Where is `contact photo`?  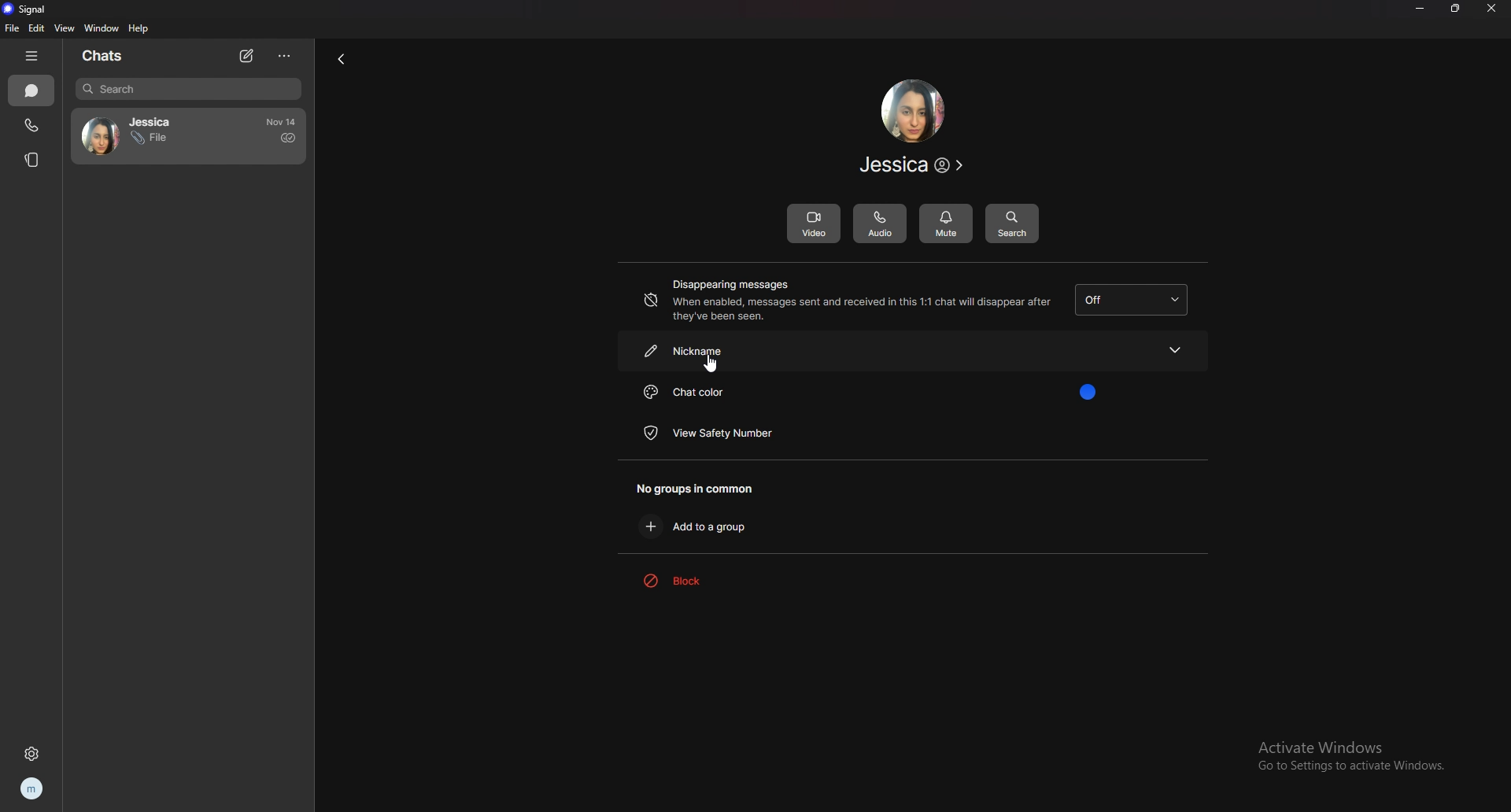 contact photo is located at coordinates (912, 110).